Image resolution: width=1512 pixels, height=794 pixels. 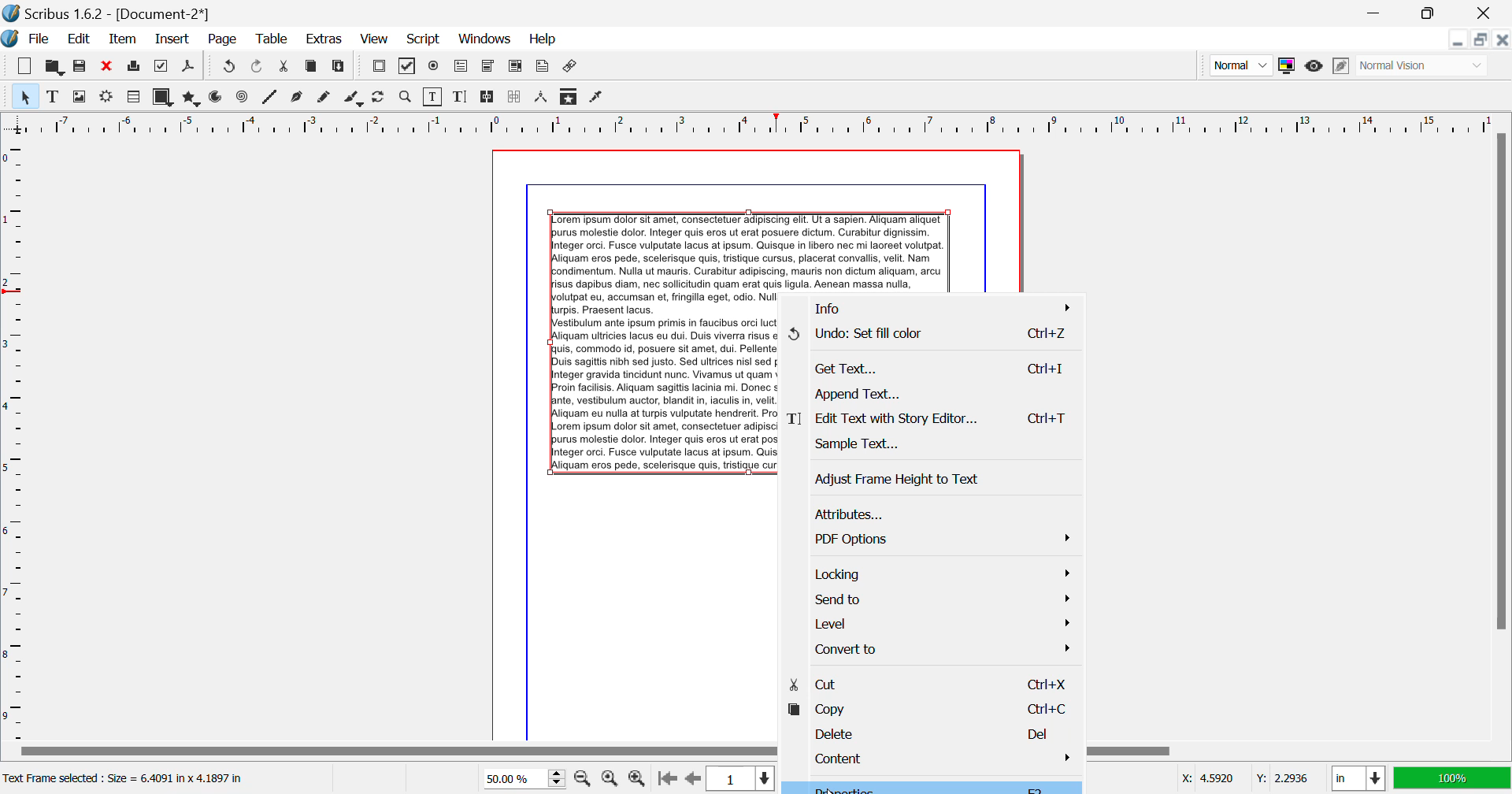 I want to click on File, so click(x=28, y=39).